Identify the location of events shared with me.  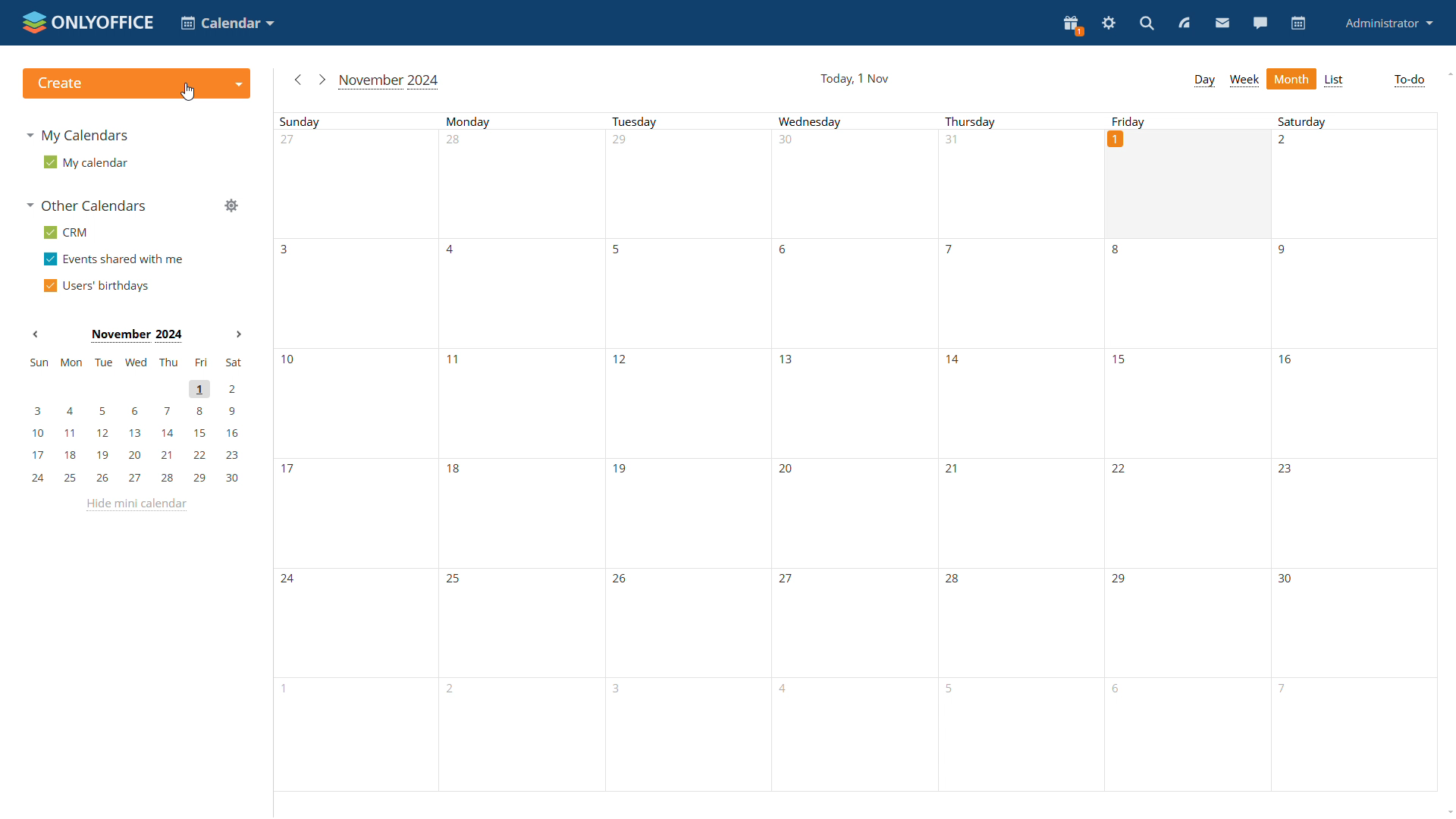
(113, 259).